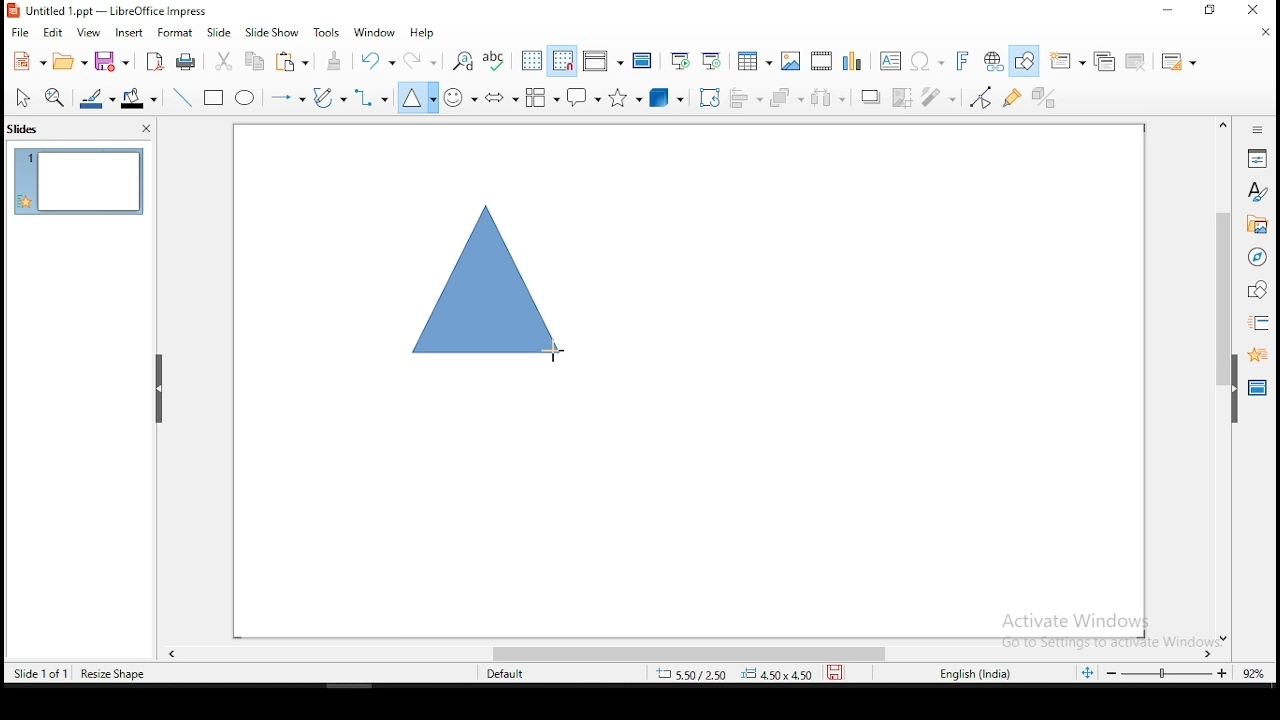  I want to click on toggle extrusiuon, so click(1047, 98).